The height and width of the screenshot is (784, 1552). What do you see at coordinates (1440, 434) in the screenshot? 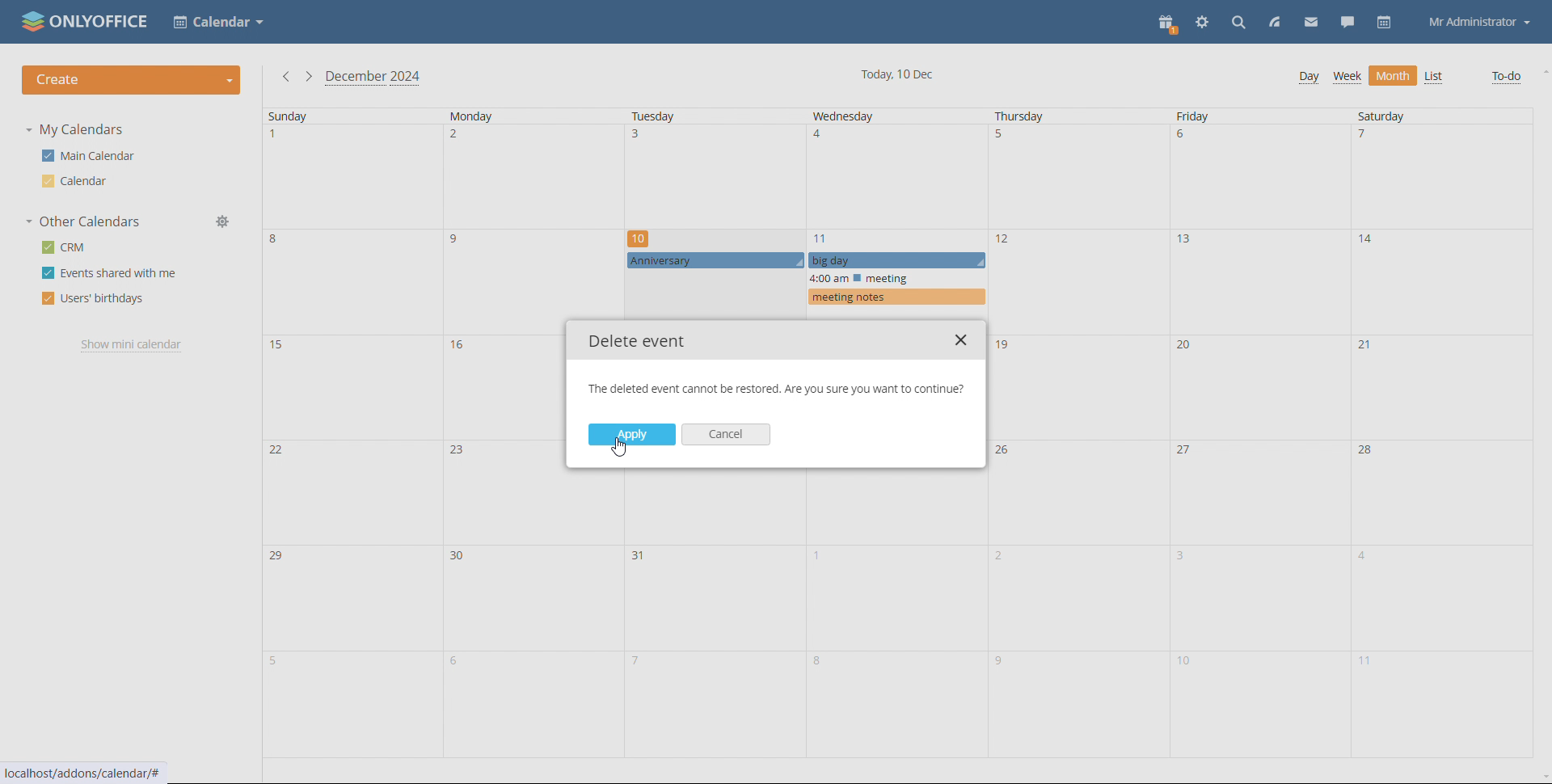
I see `saturday` at bounding box center [1440, 434].